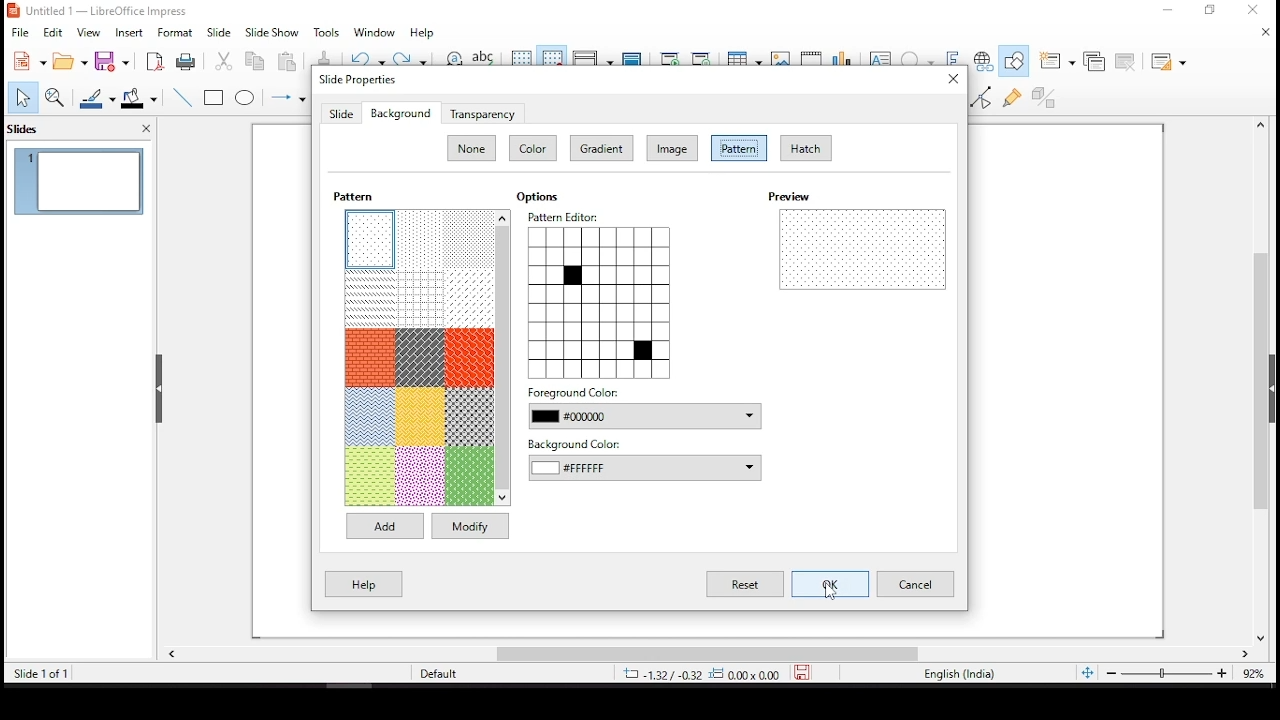 This screenshot has width=1280, height=720. I want to click on slide properties, so click(356, 79).